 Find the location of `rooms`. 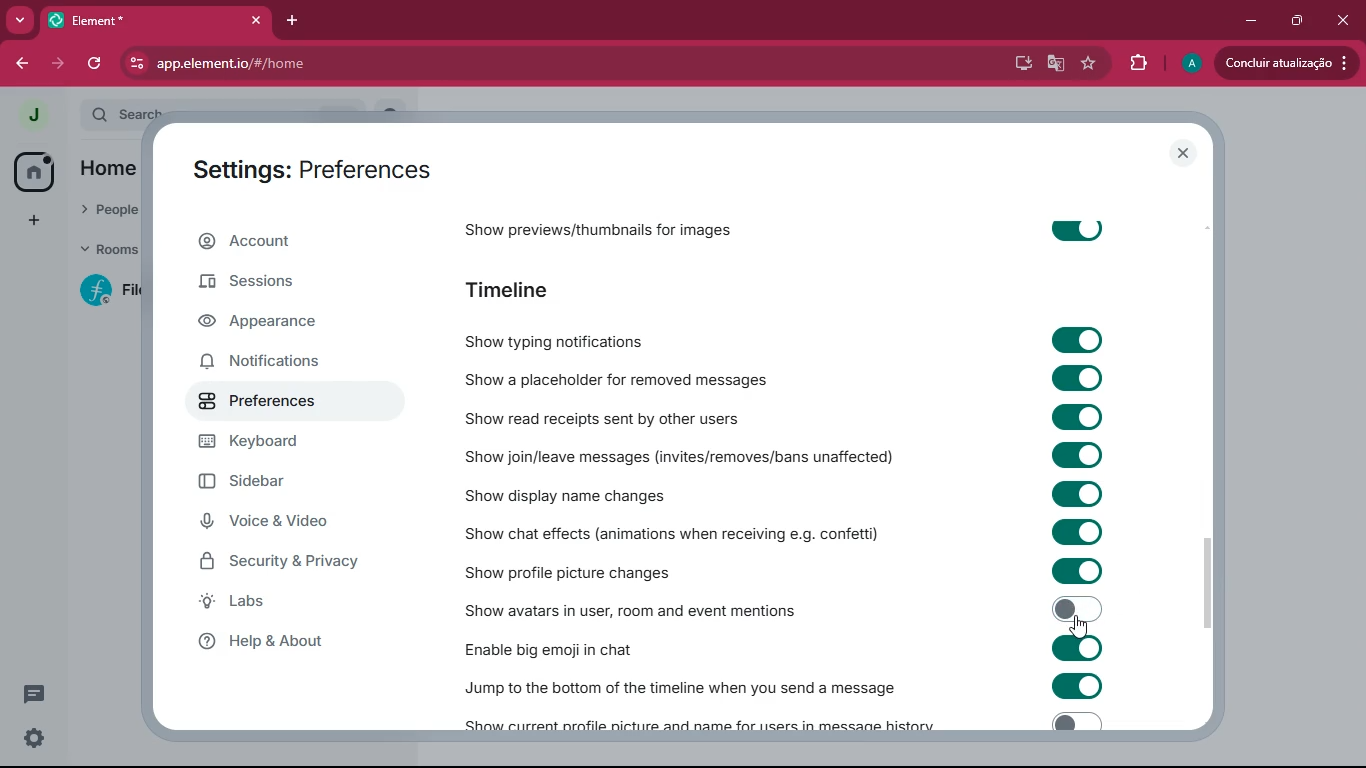

rooms is located at coordinates (108, 250).